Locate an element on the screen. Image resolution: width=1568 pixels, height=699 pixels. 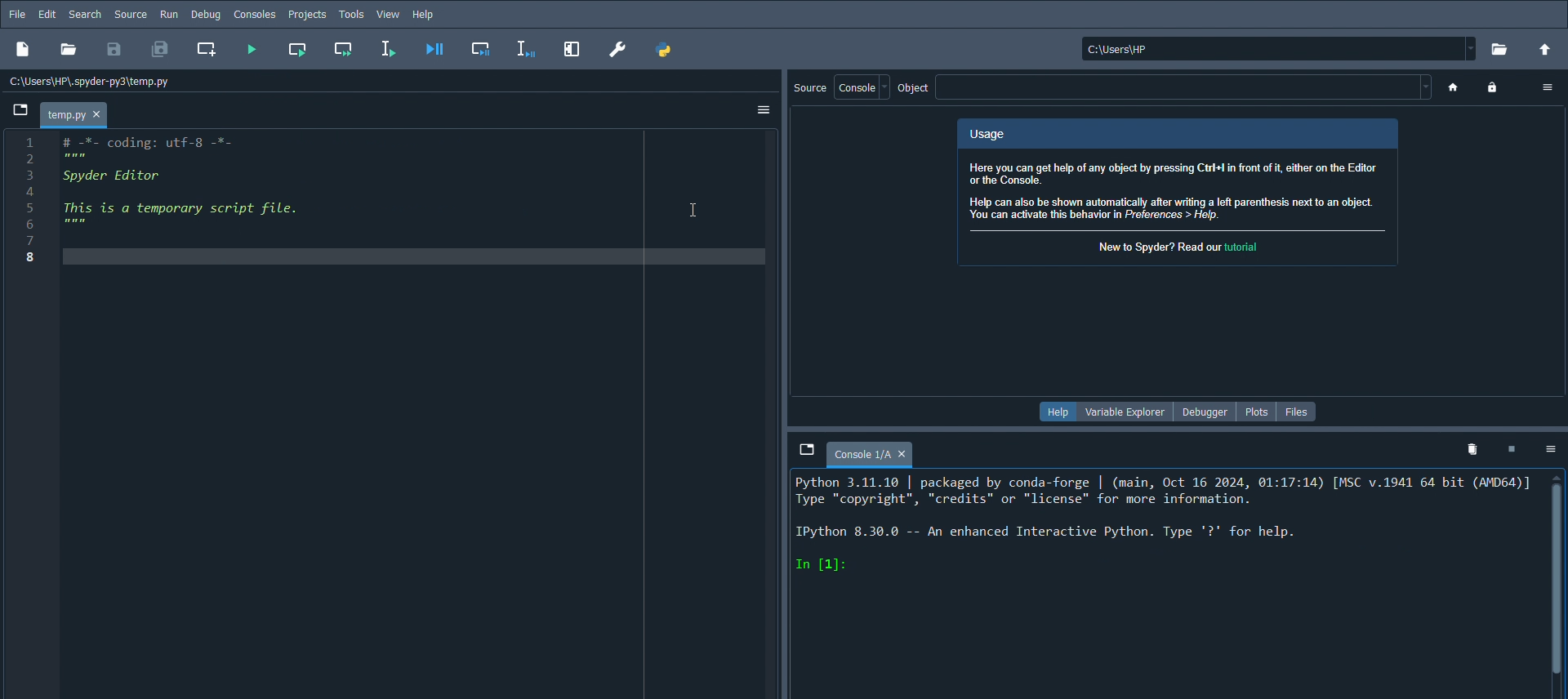
Save all files is located at coordinates (159, 49).